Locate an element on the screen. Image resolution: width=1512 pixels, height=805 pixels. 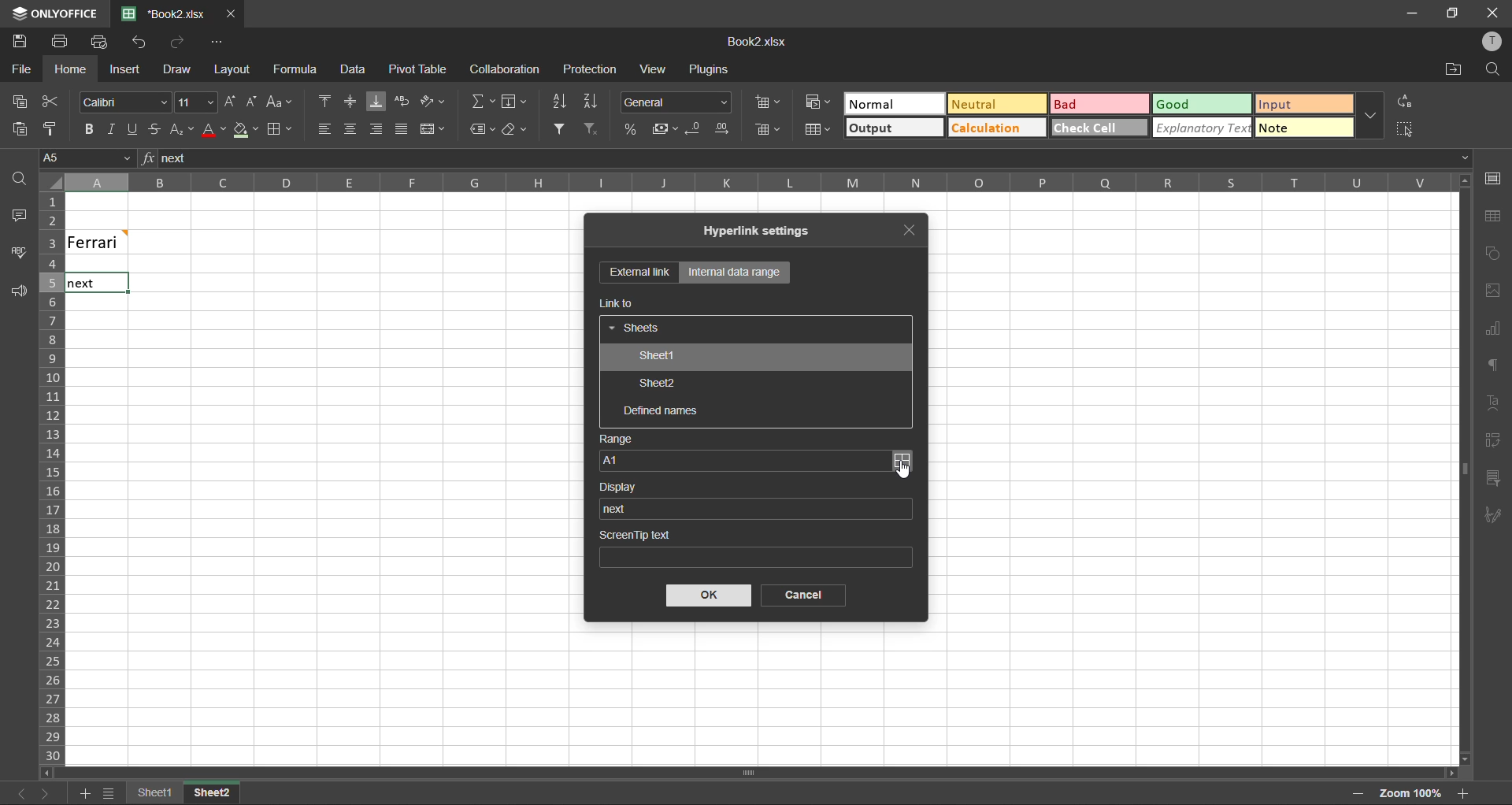
close tab is located at coordinates (233, 13).